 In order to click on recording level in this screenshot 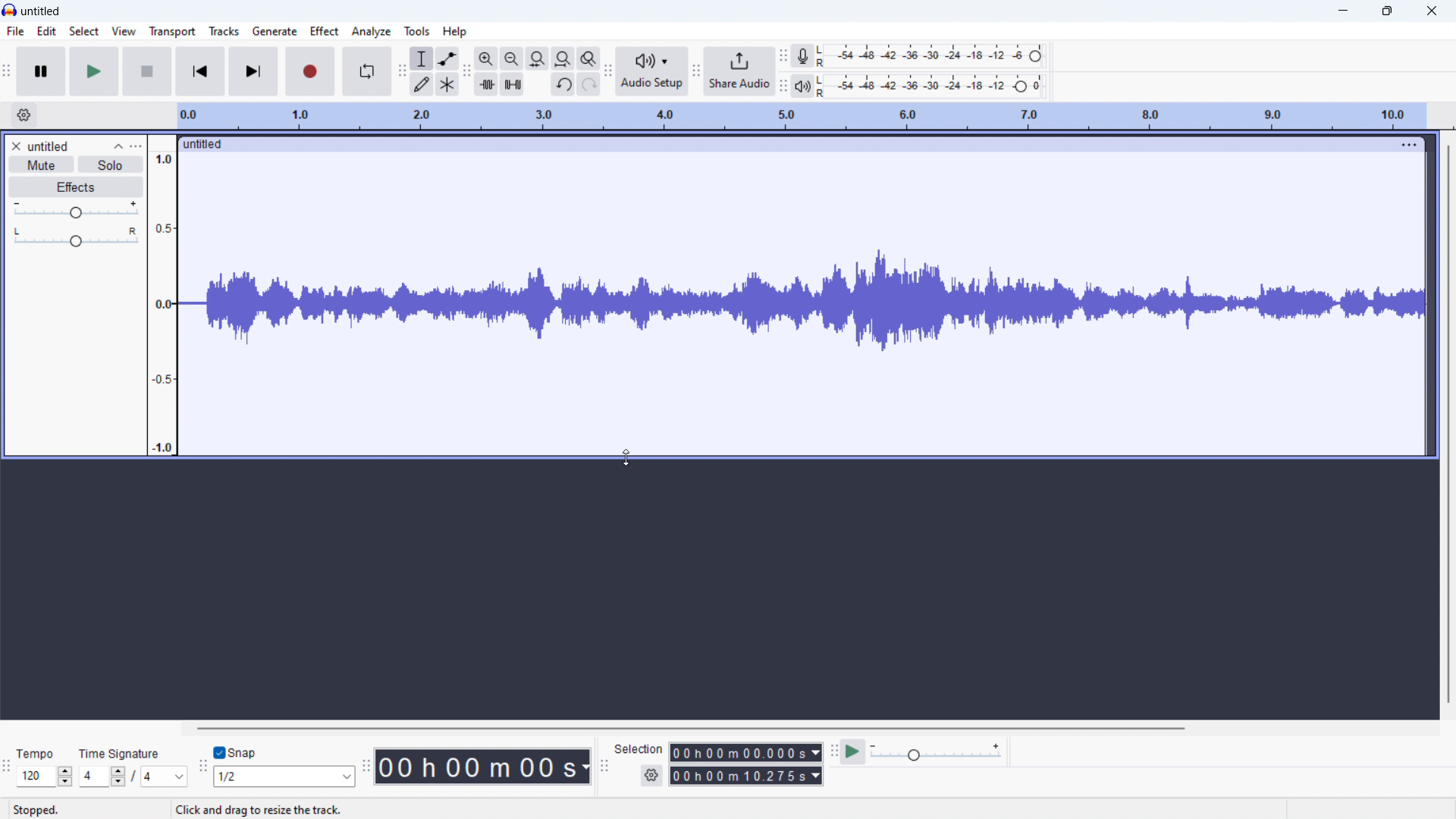, I will do `click(934, 56)`.